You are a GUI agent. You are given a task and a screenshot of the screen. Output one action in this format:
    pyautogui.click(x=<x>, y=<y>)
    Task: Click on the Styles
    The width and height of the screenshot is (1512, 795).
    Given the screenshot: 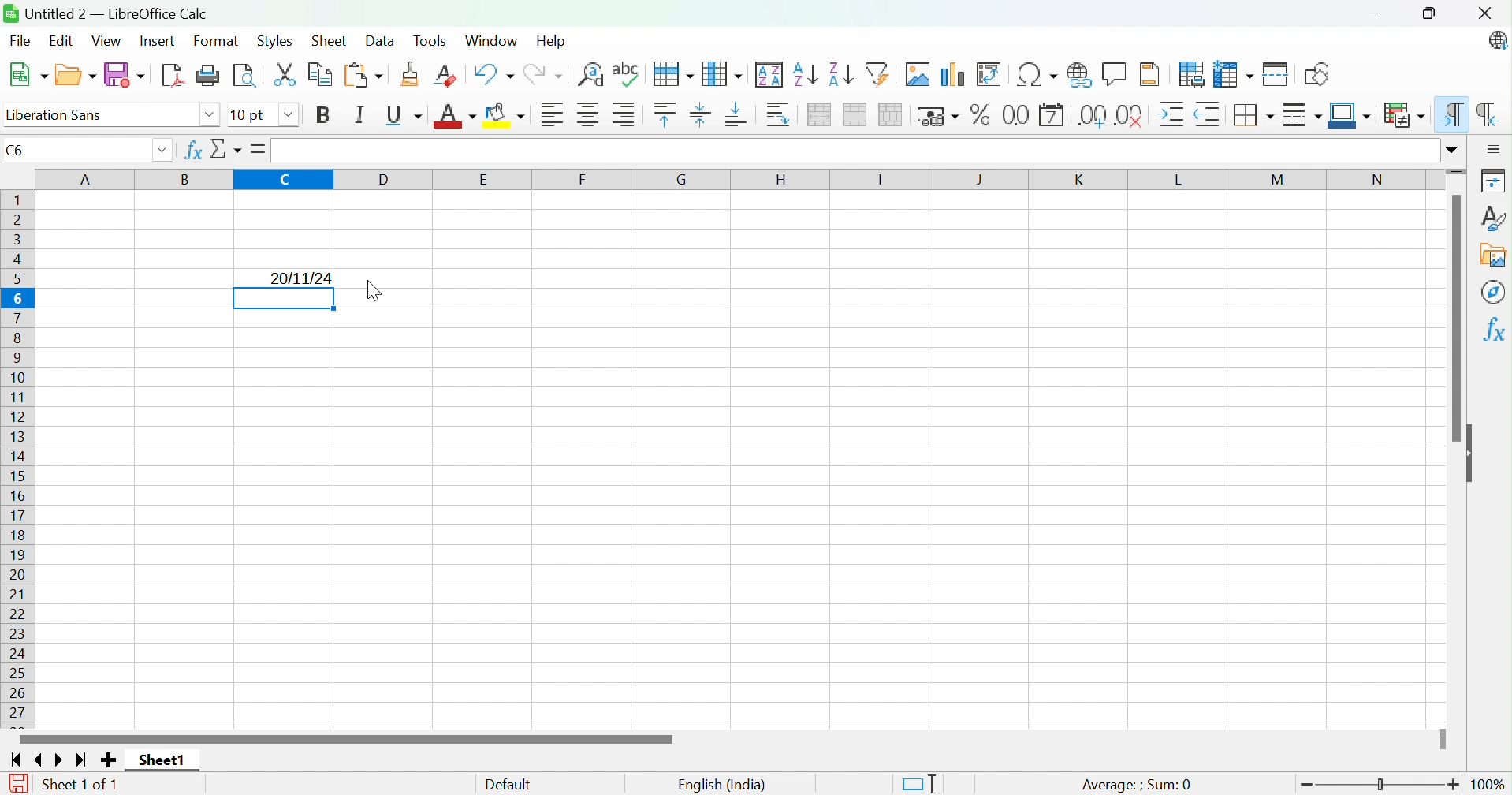 What is the action you would take?
    pyautogui.click(x=1492, y=218)
    